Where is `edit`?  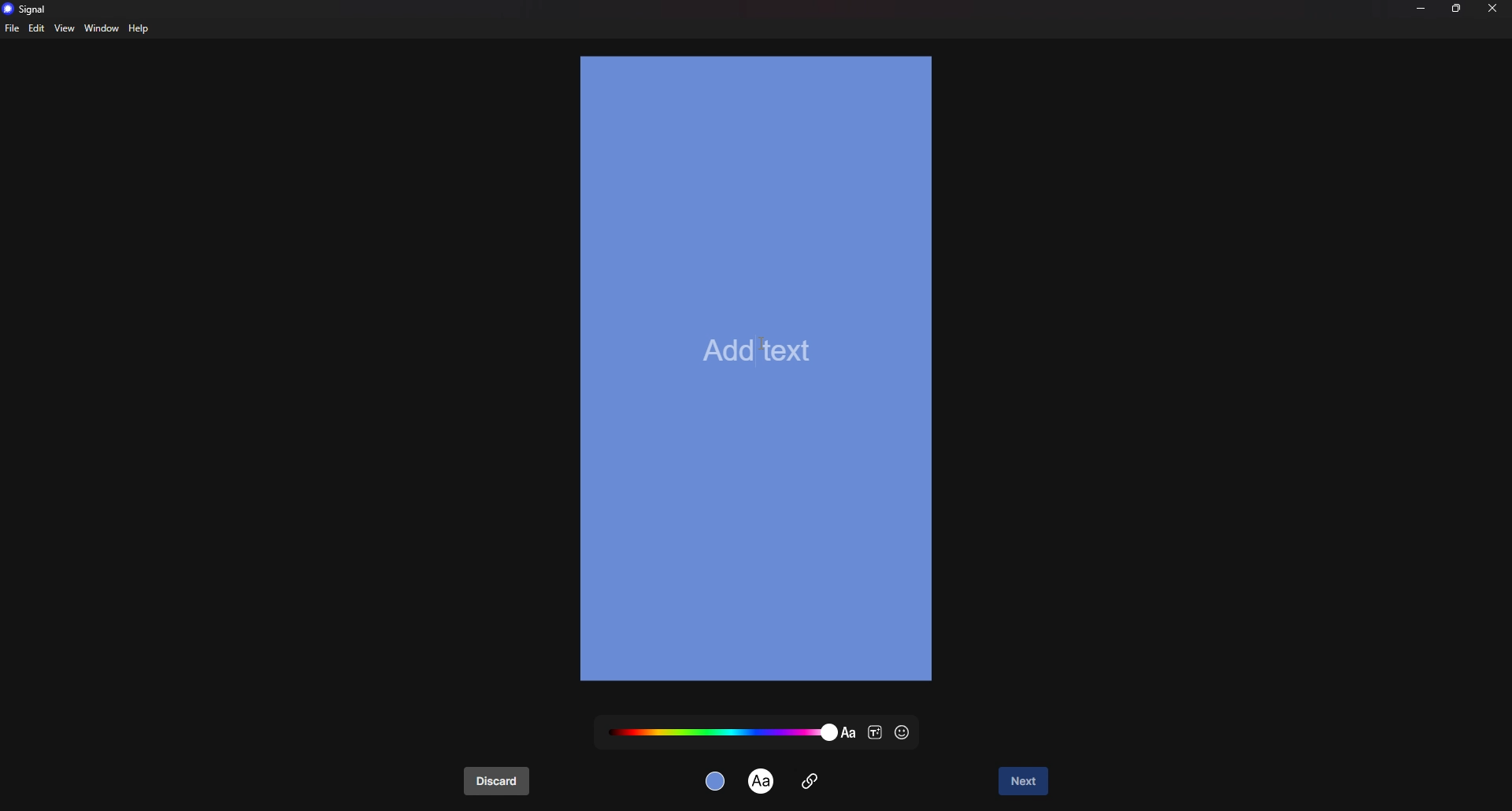 edit is located at coordinates (37, 28).